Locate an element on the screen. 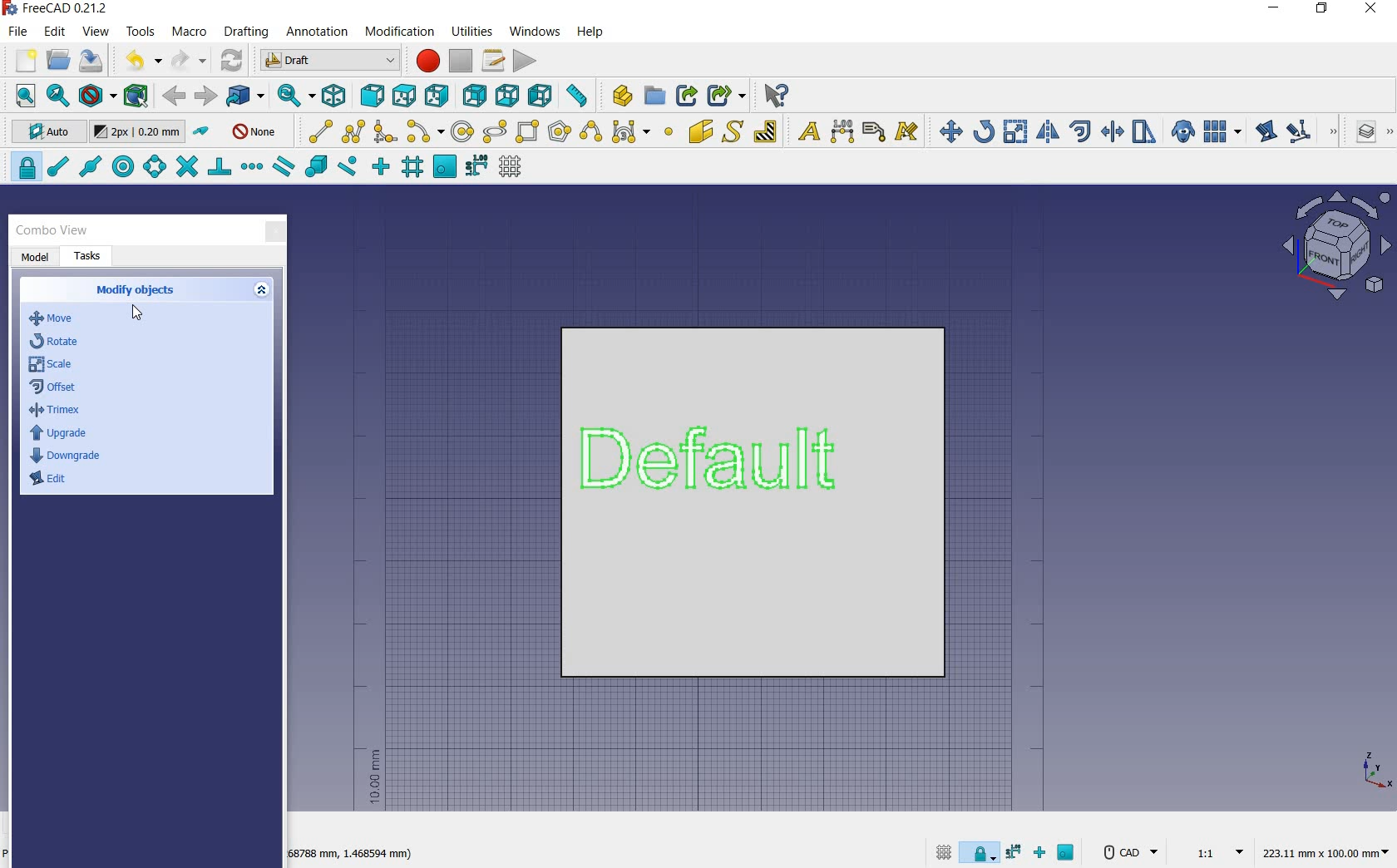 This screenshot has width=1397, height=868. go to linked object is located at coordinates (246, 96).